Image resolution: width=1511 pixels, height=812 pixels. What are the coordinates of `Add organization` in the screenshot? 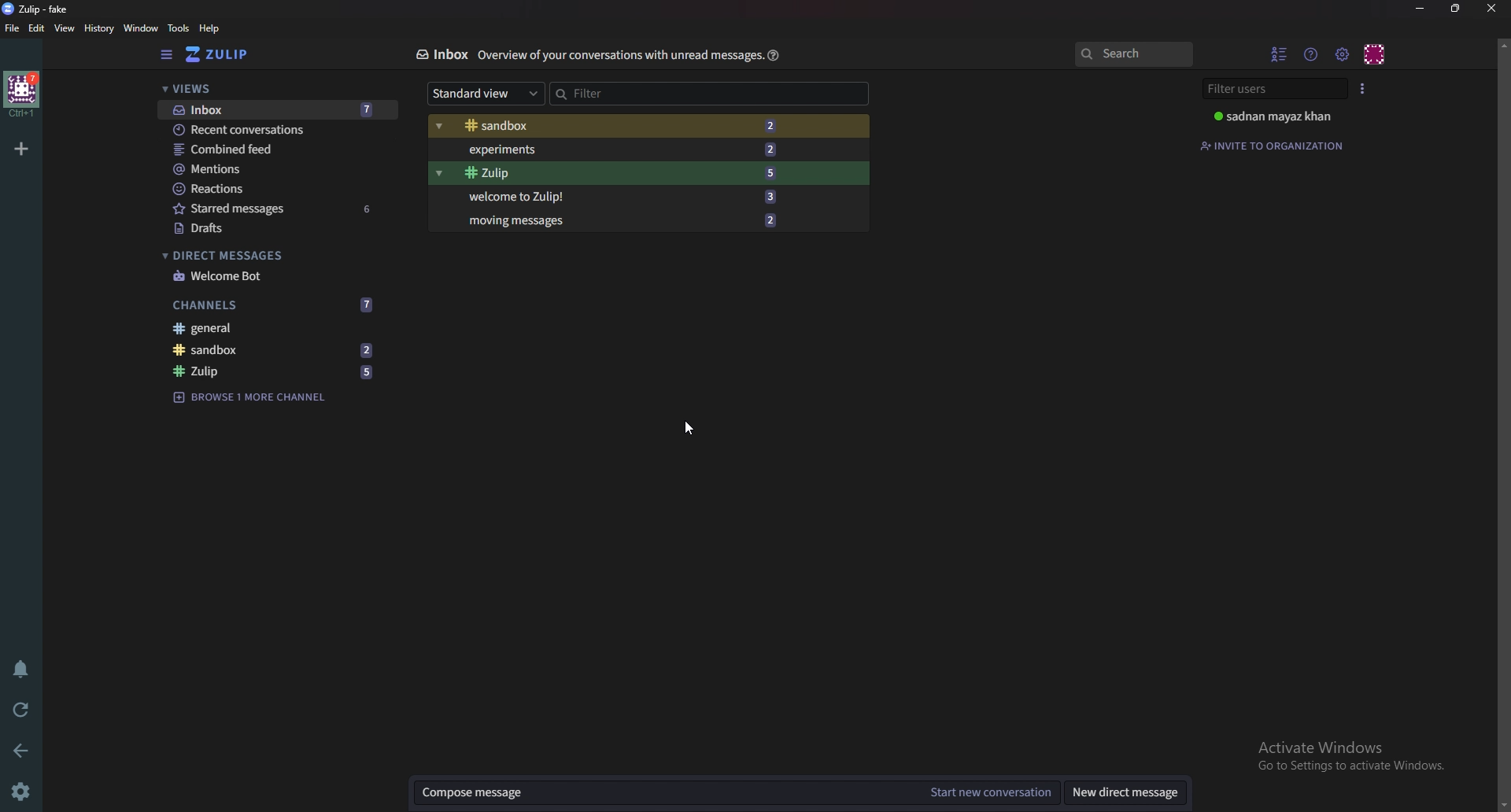 It's located at (20, 148).